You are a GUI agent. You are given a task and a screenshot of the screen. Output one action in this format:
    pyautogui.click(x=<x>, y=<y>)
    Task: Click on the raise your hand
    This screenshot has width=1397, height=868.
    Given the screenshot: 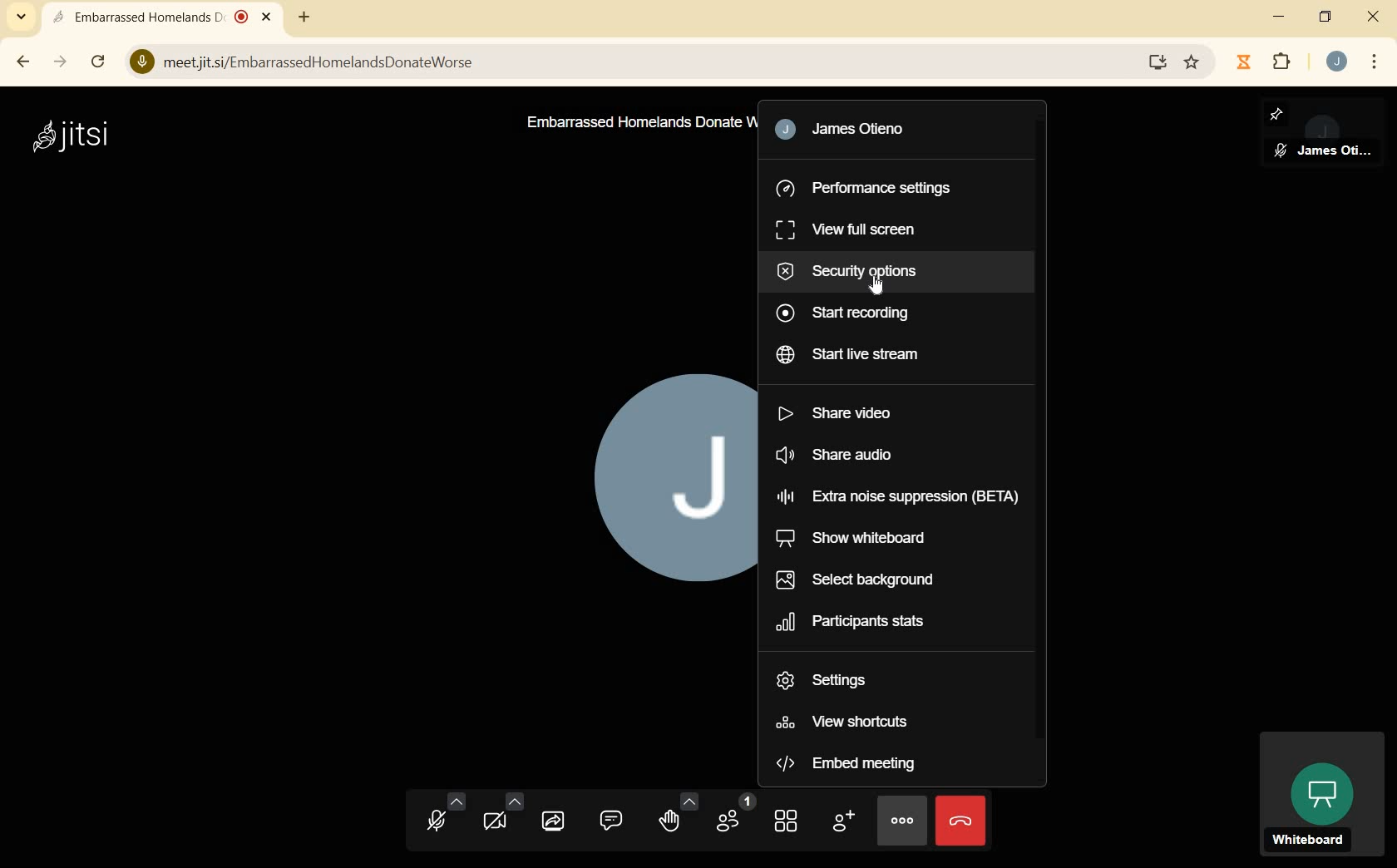 What is the action you would take?
    pyautogui.click(x=677, y=814)
    